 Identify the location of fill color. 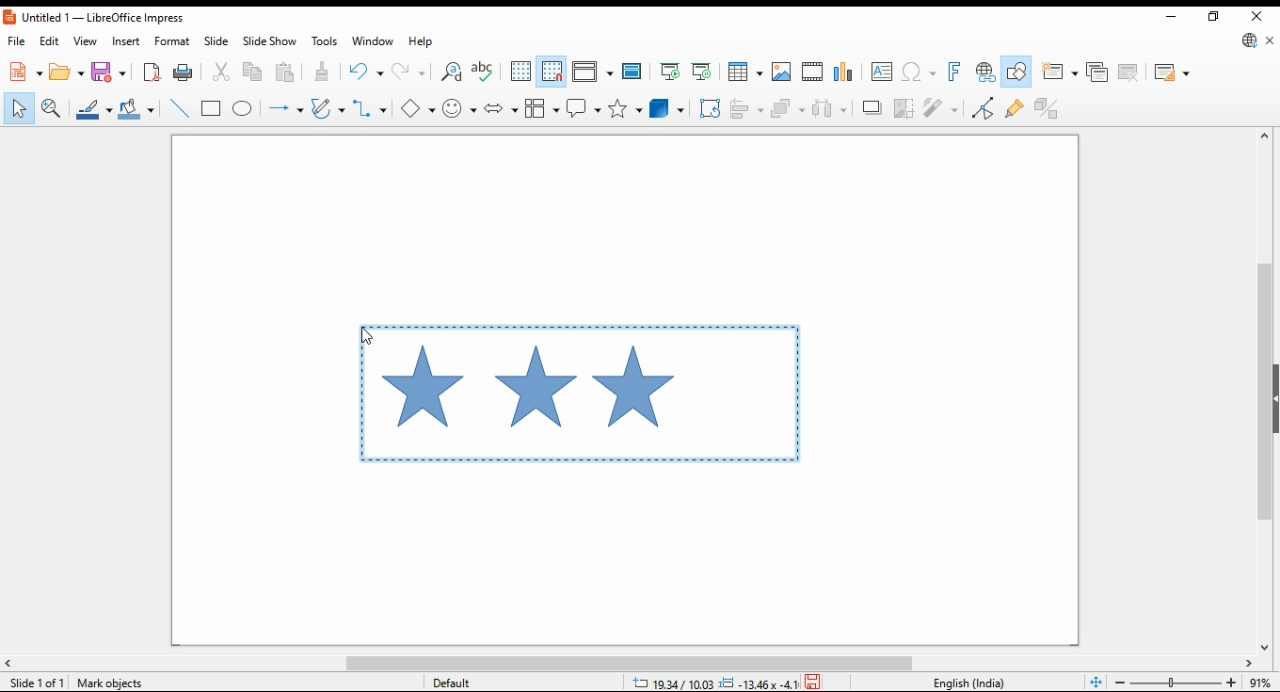
(139, 108).